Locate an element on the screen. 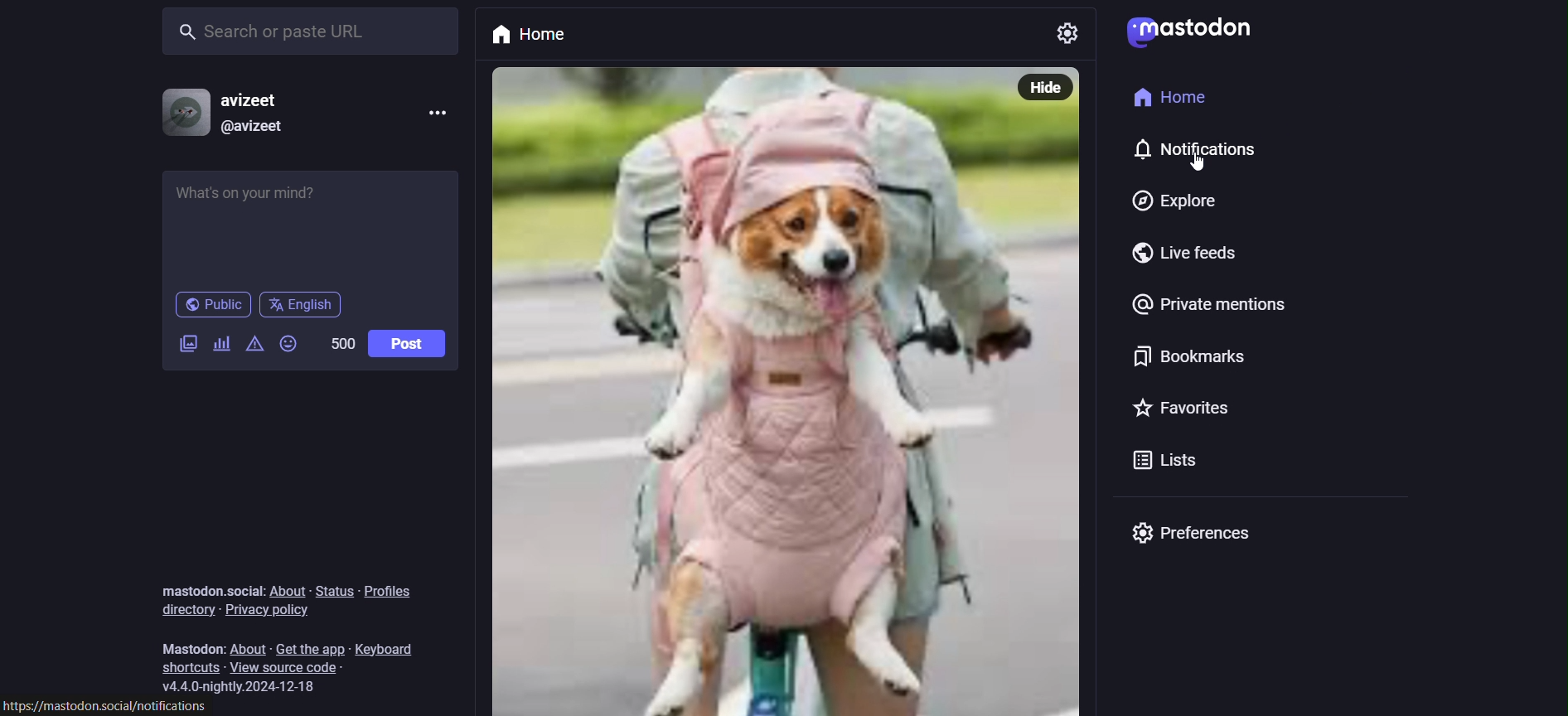 This screenshot has height=716, width=1568. live feeds is located at coordinates (1194, 258).